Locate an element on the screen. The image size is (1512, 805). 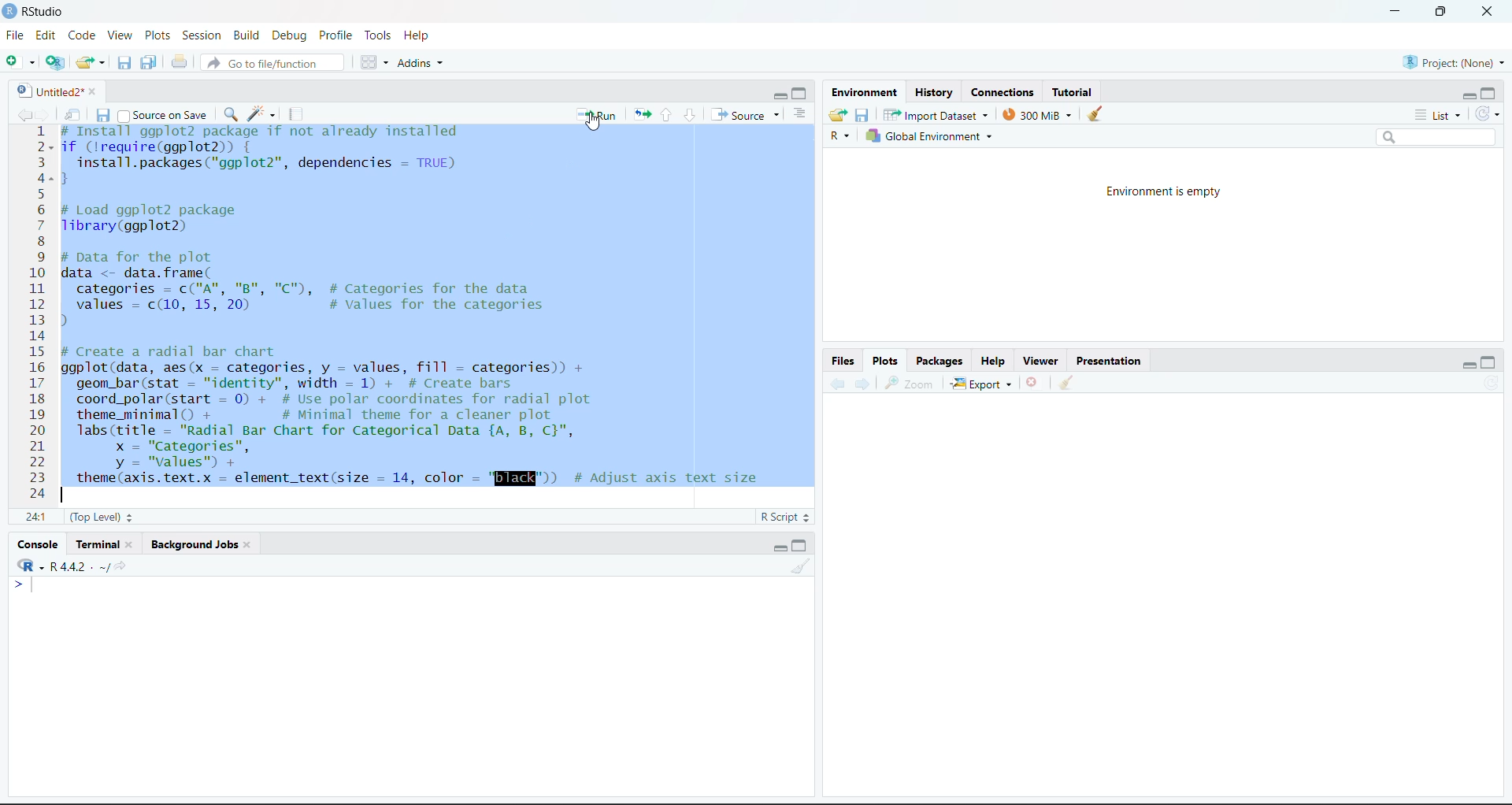
Console is located at coordinates (37, 545).